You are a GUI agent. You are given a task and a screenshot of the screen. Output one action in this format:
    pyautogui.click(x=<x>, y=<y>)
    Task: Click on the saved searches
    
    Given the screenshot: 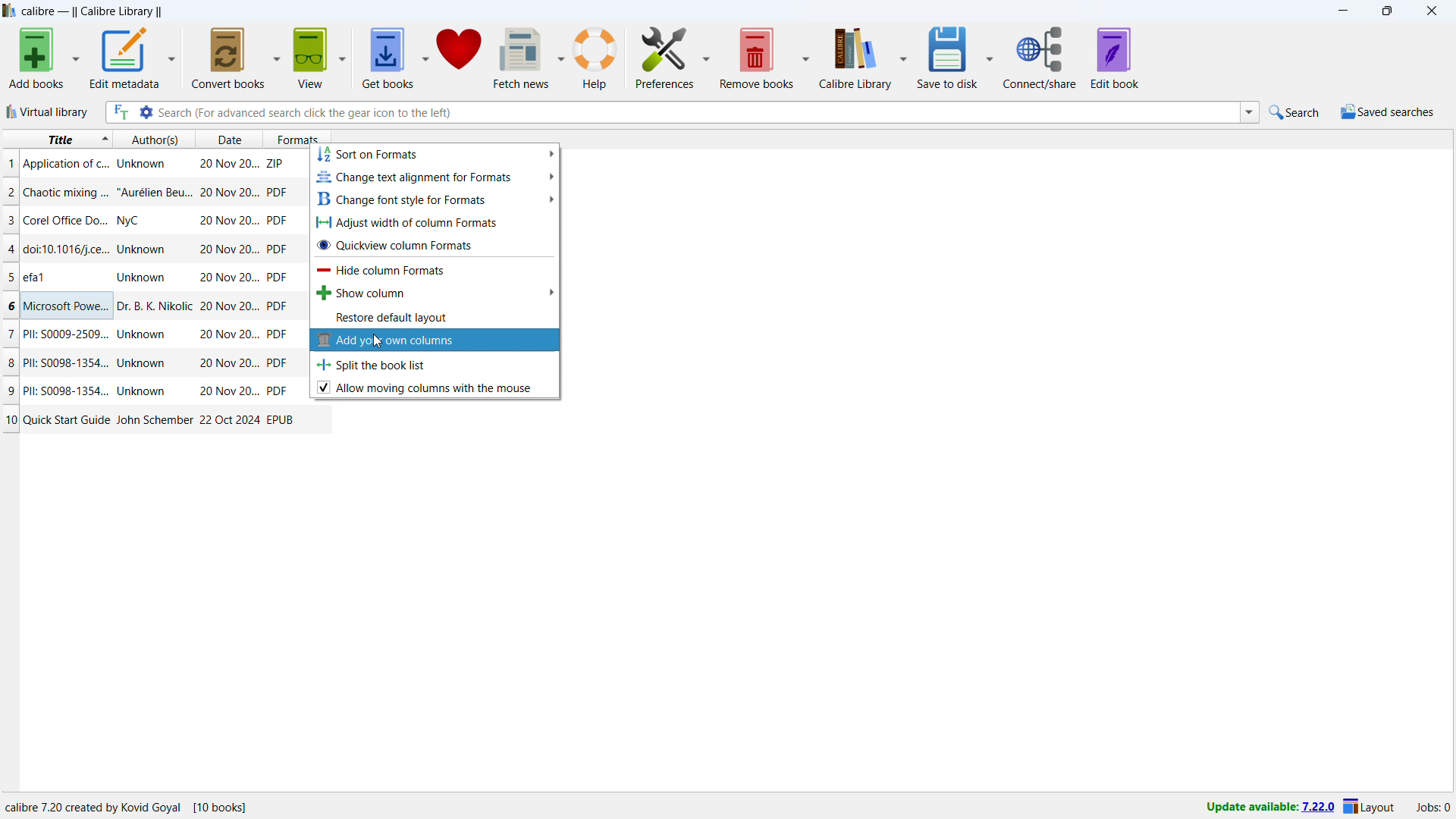 What is the action you would take?
    pyautogui.click(x=1386, y=111)
    